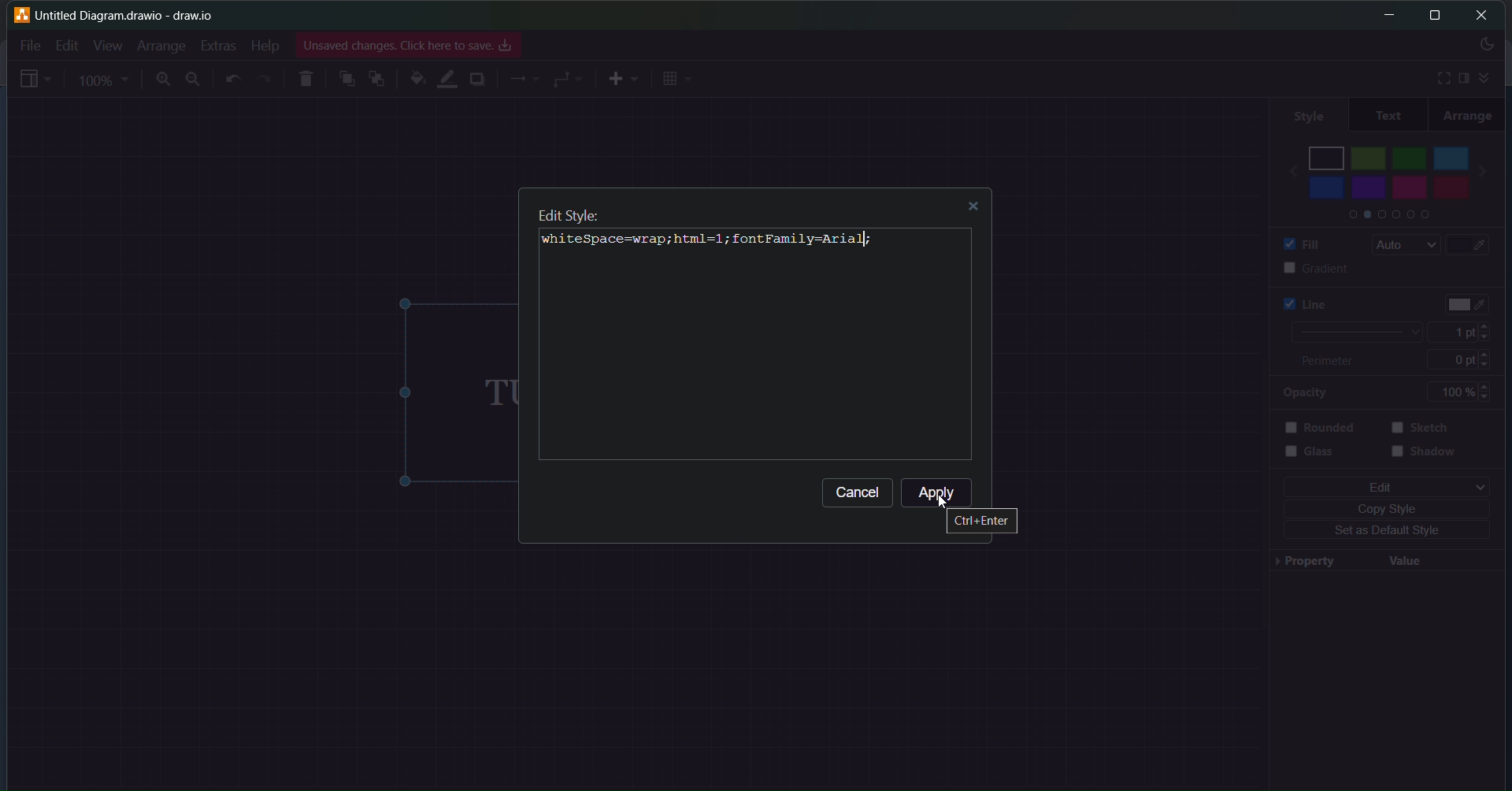 The width and height of the screenshot is (1512, 791). What do you see at coordinates (1336, 362) in the screenshot?
I see `perimeter` at bounding box center [1336, 362].